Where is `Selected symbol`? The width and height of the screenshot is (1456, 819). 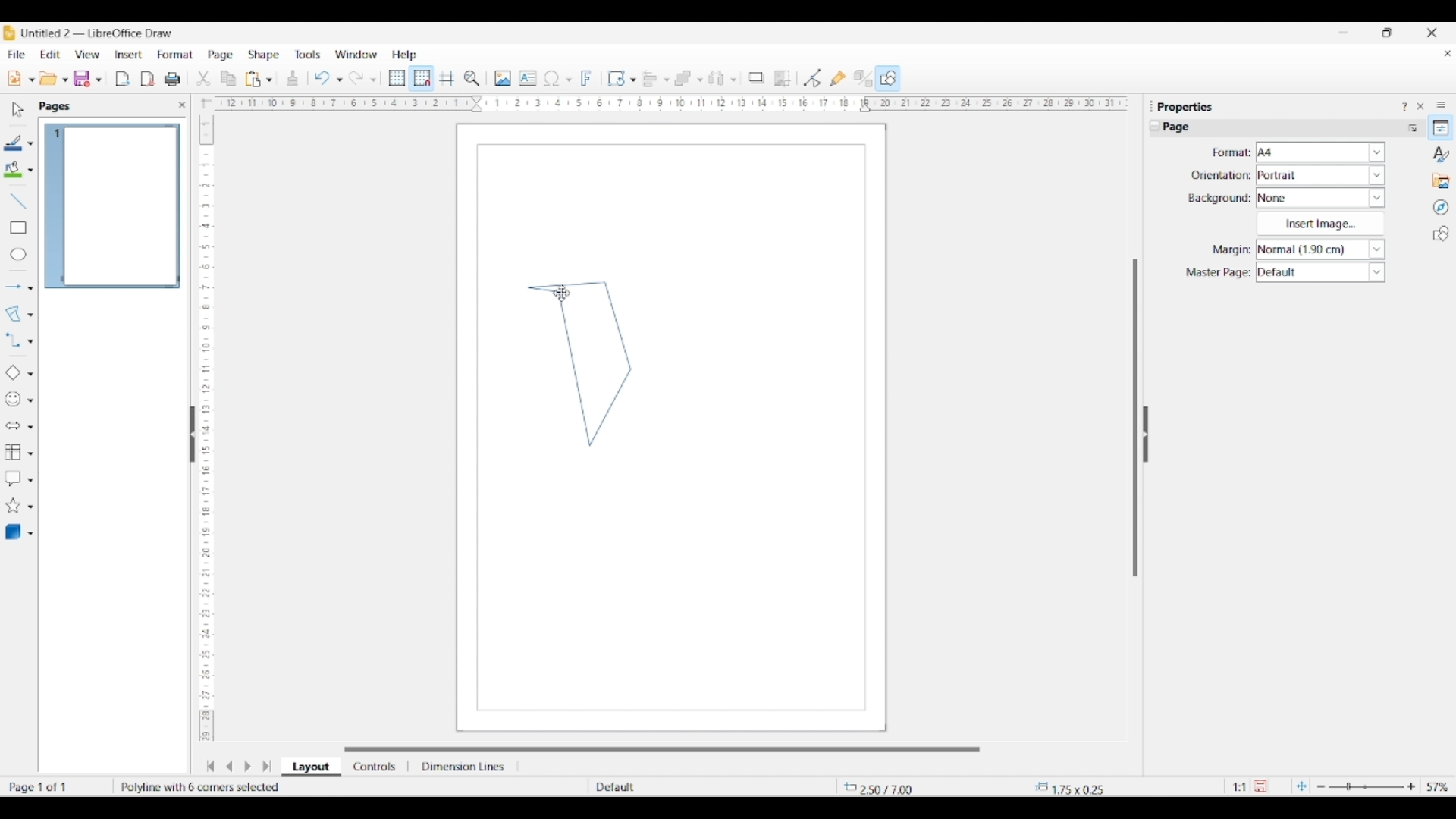
Selected symbol is located at coordinates (14, 400).